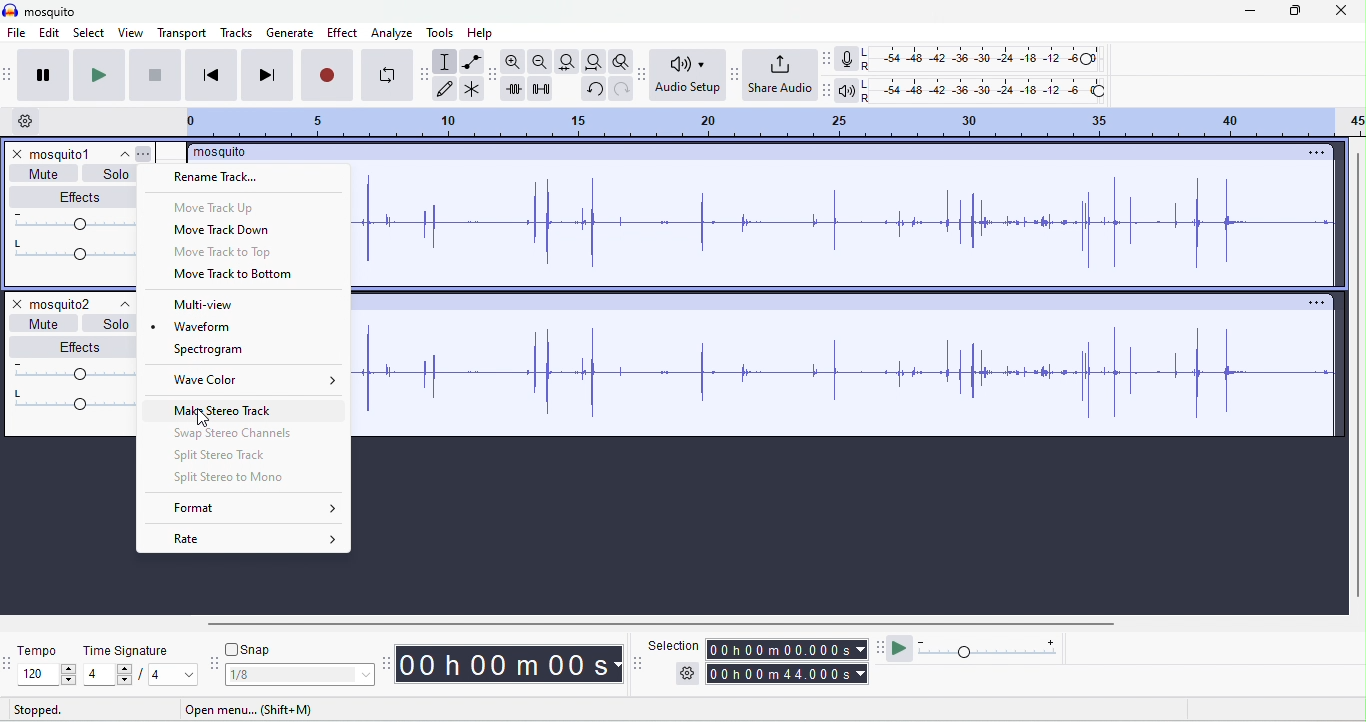 This screenshot has height=722, width=1366. Describe the element at coordinates (36, 709) in the screenshot. I see `stopped` at that location.